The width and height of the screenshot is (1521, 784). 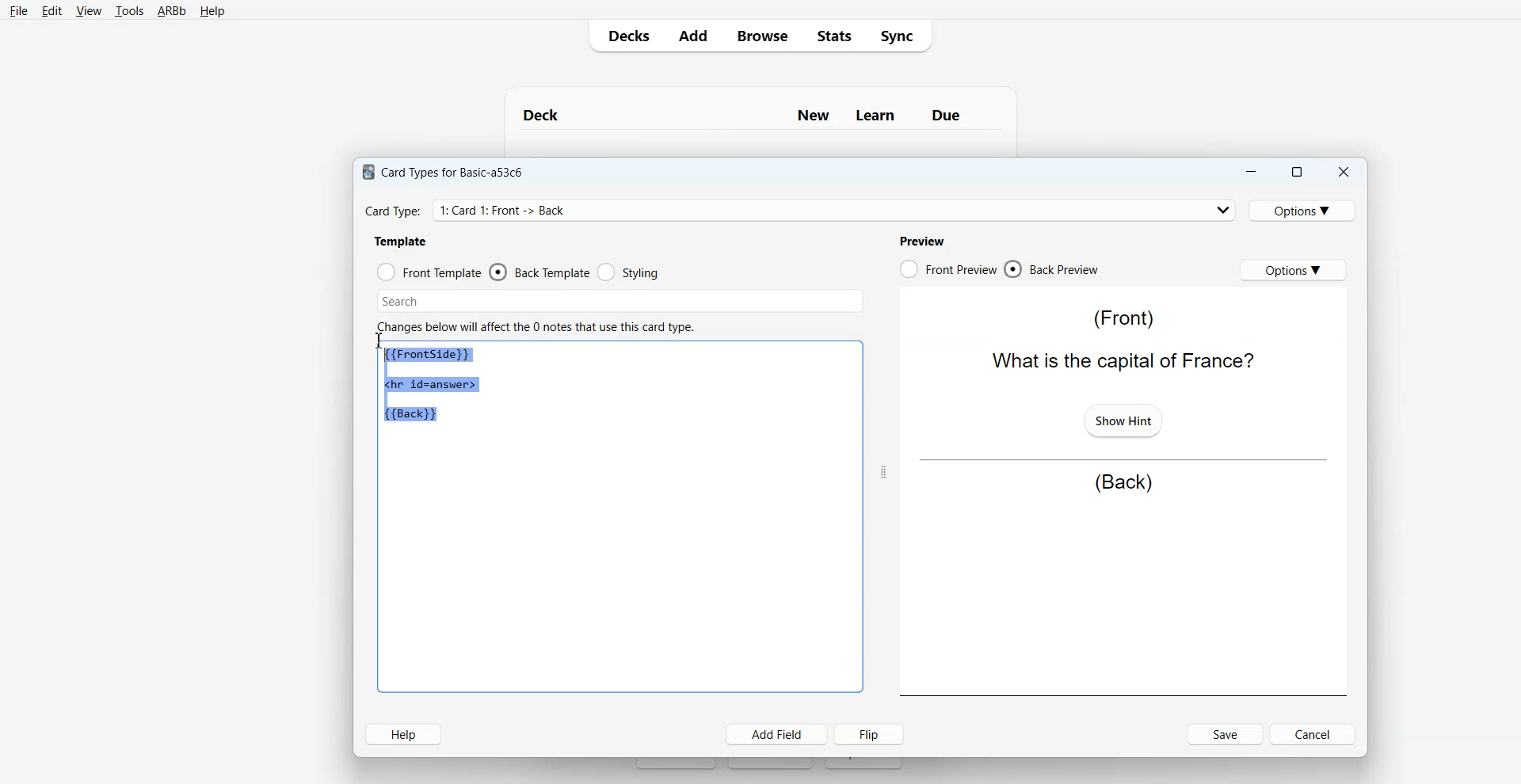 I want to click on Front Preview, so click(x=947, y=269).